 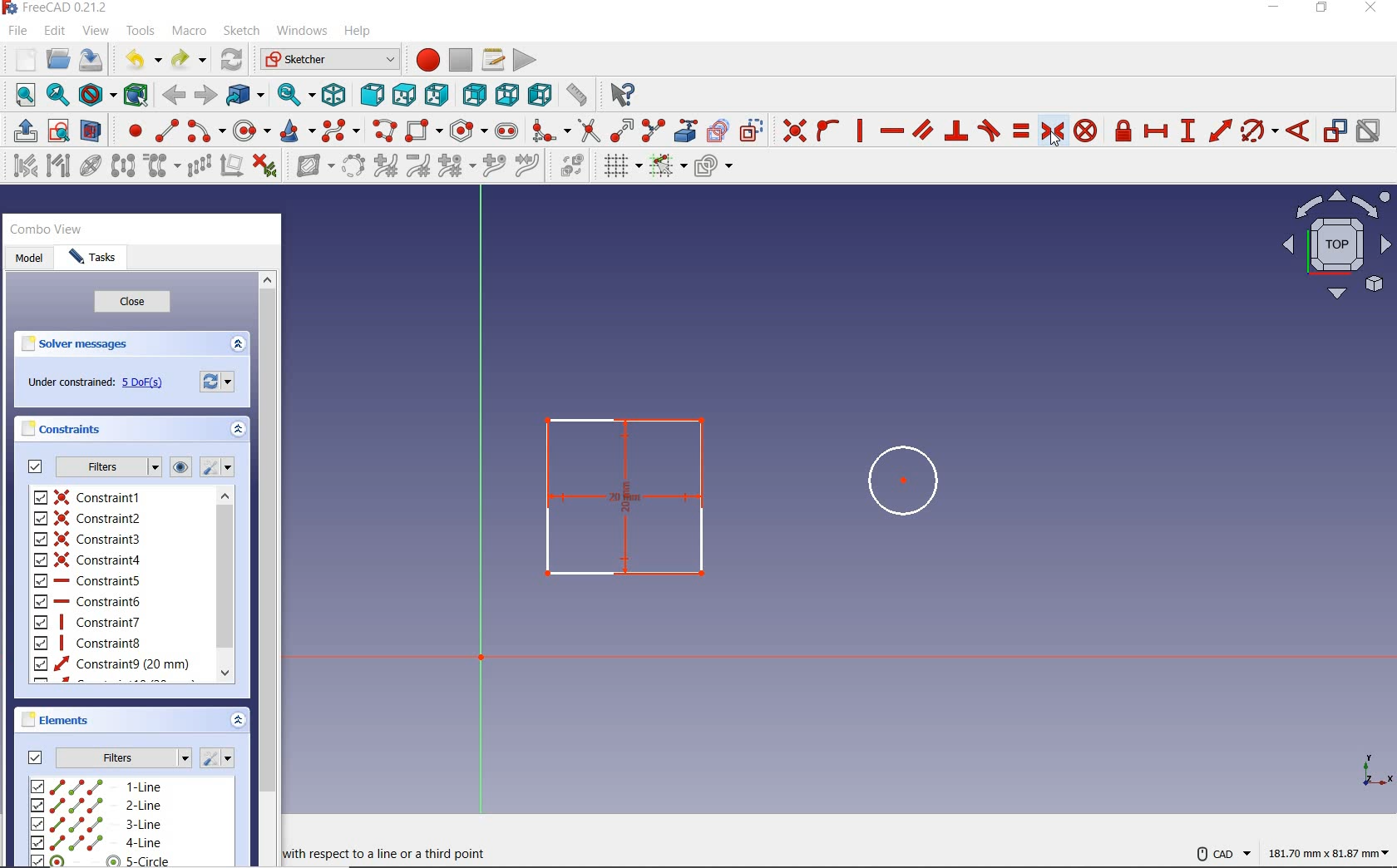 I want to click on 4-LINE, so click(x=95, y=842).